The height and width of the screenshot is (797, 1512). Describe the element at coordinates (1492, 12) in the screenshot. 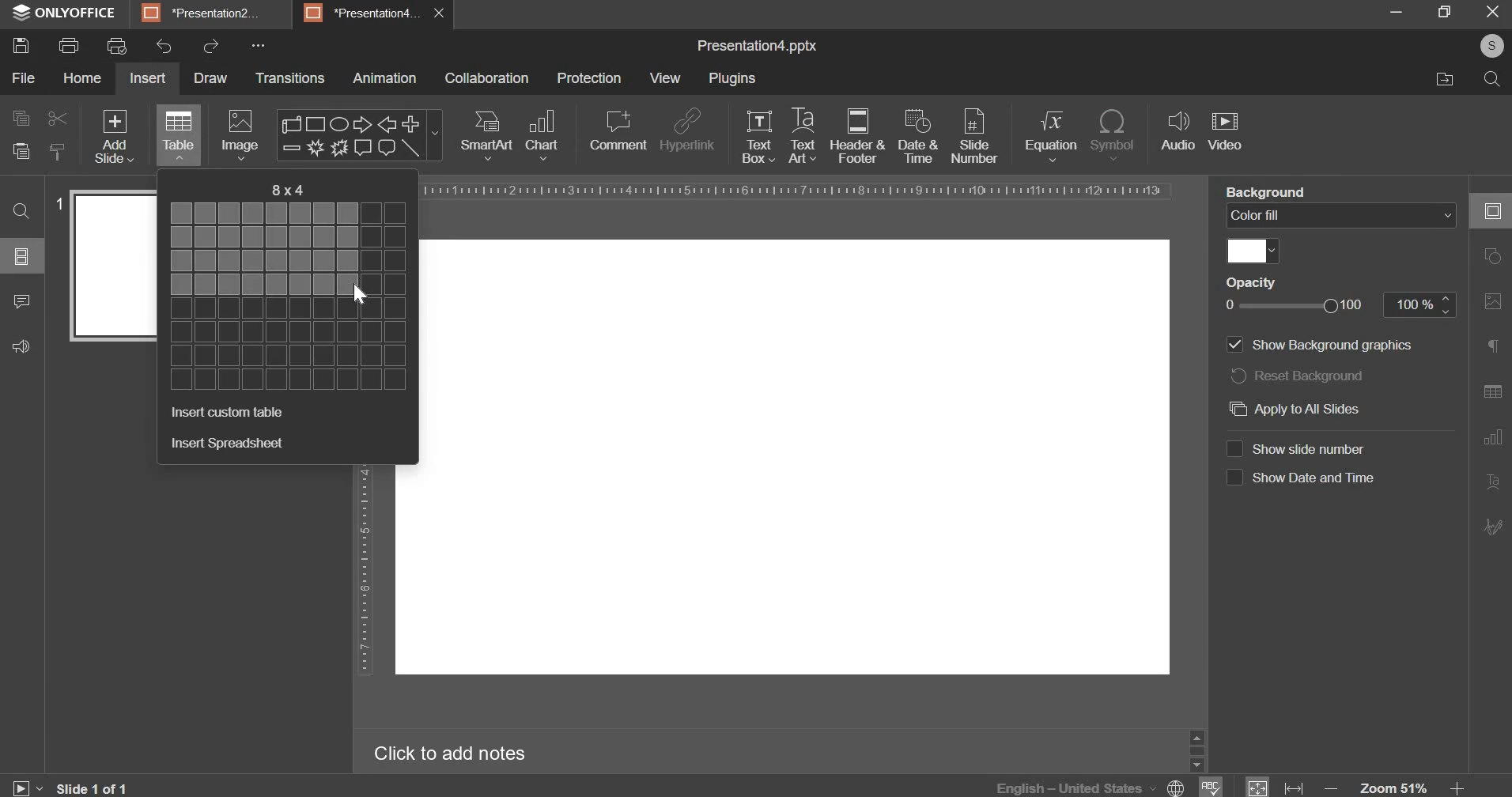

I see `close` at that location.